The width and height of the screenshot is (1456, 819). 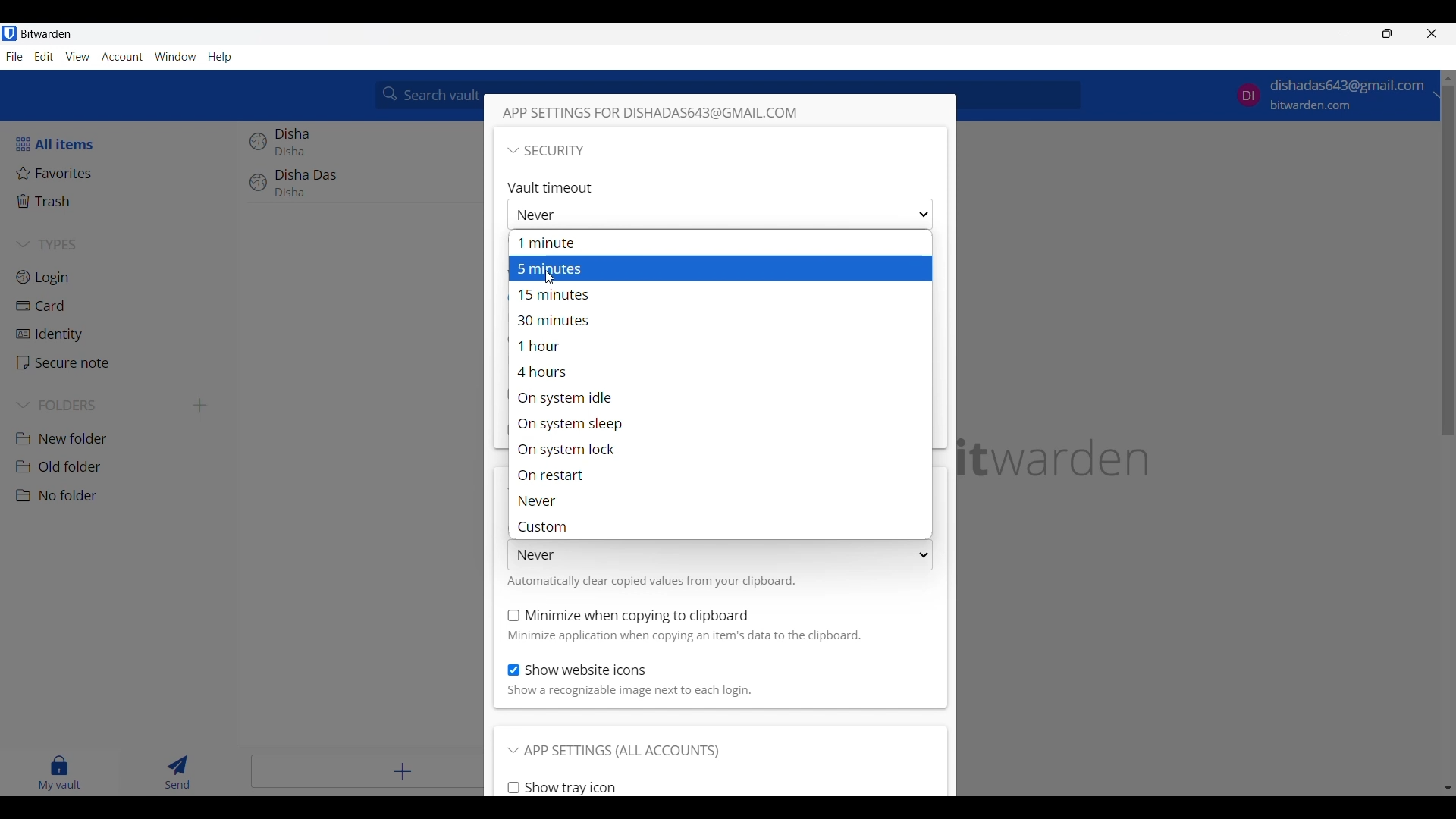 What do you see at coordinates (554, 274) in the screenshot?
I see `cursor` at bounding box center [554, 274].